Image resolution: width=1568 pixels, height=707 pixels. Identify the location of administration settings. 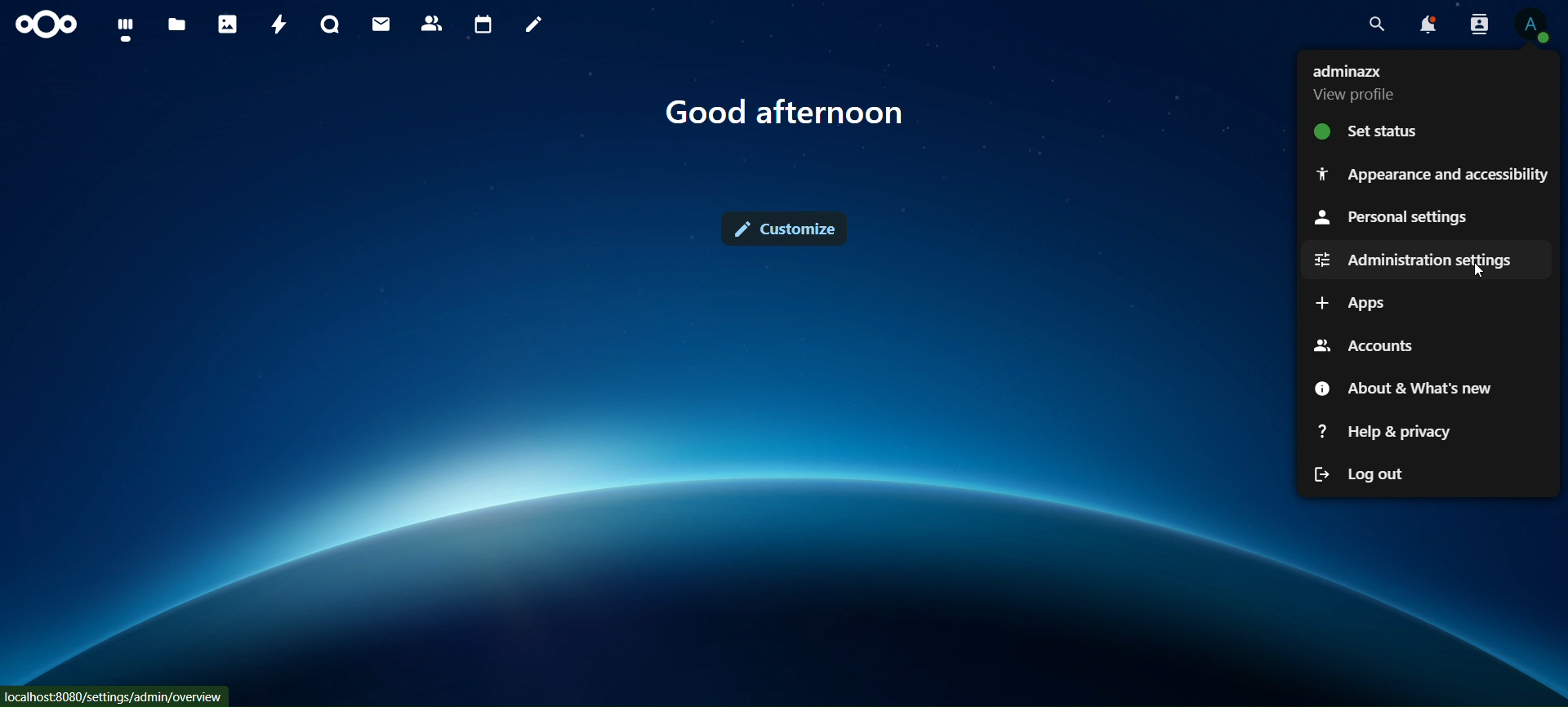
(1417, 259).